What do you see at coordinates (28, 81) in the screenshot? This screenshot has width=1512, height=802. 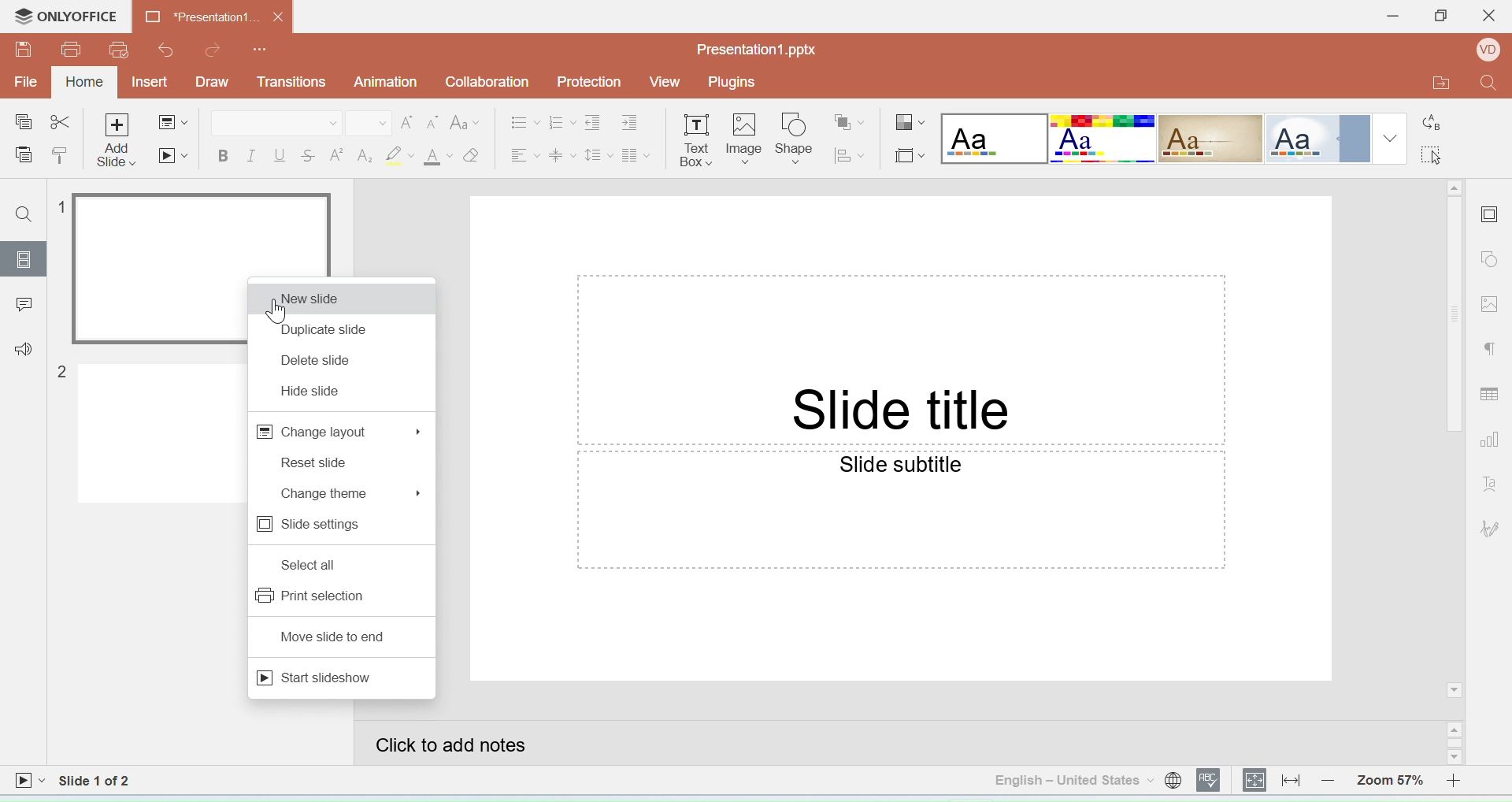 I see `File` at bounding box center [28, 81].